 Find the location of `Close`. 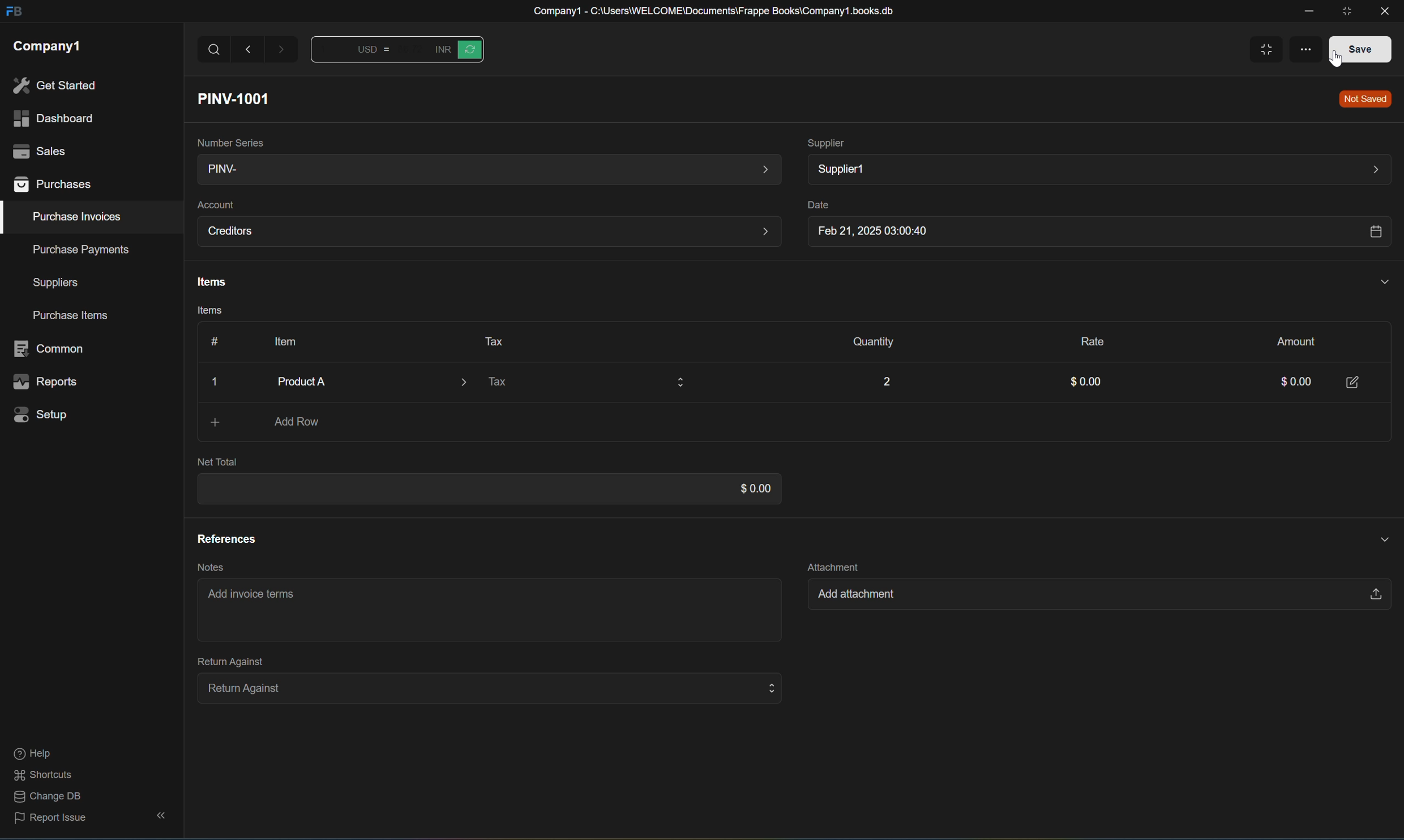

Close is located at coordinates (217, 383).